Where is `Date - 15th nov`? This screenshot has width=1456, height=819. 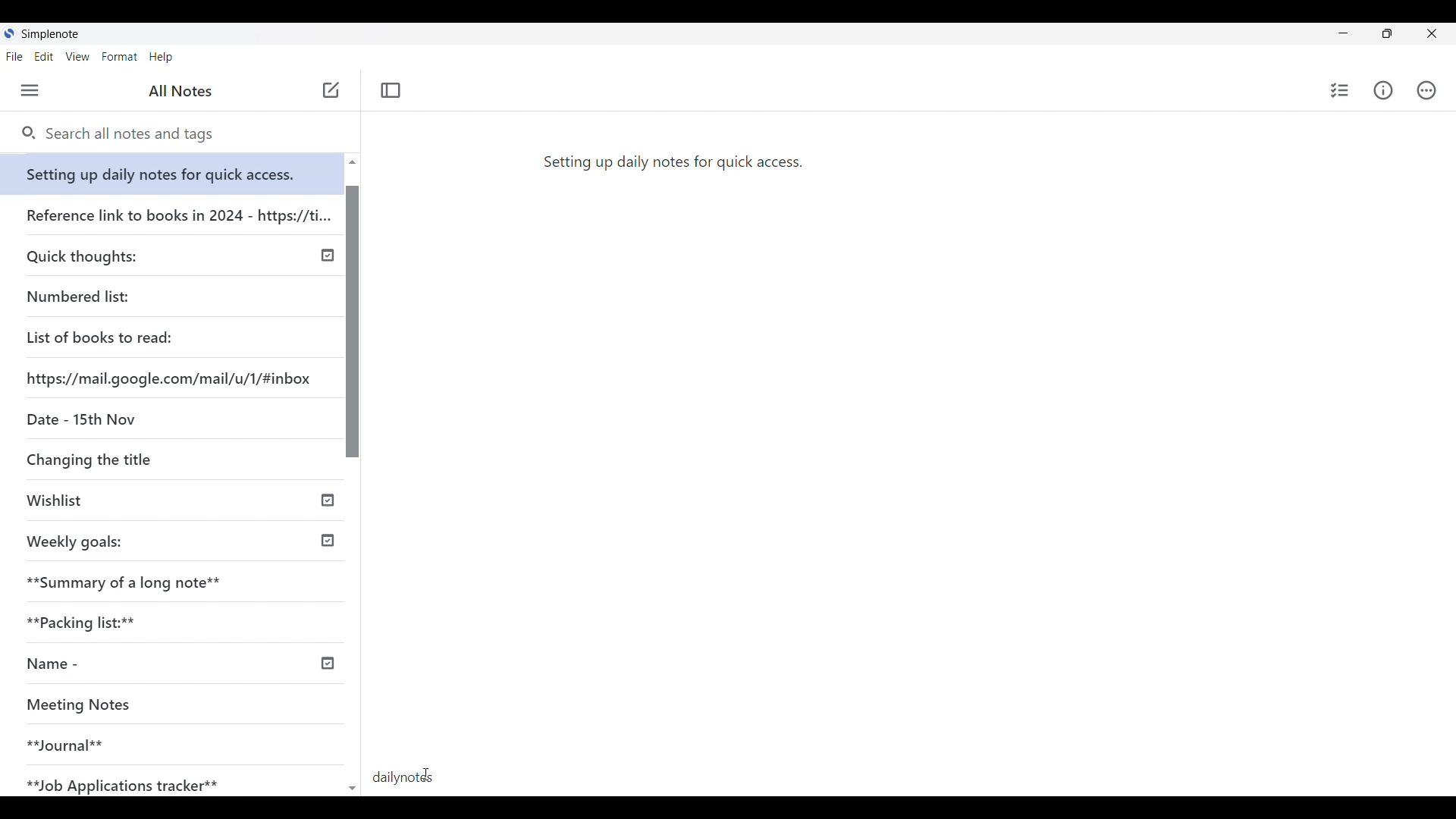 Date - 15th nov is located at coordinates (78, 418).